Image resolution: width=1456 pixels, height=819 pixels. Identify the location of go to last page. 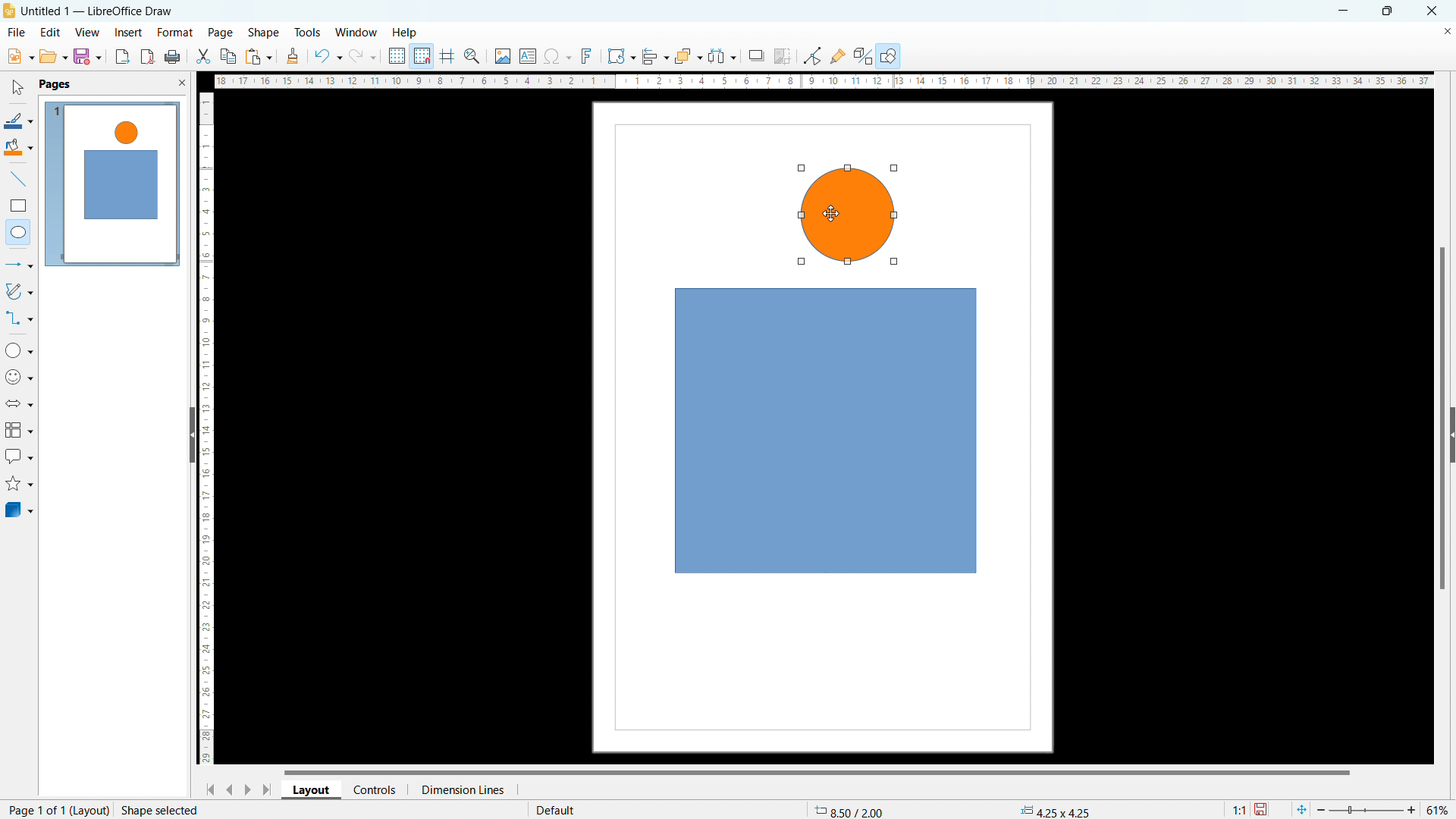
(268, 789).